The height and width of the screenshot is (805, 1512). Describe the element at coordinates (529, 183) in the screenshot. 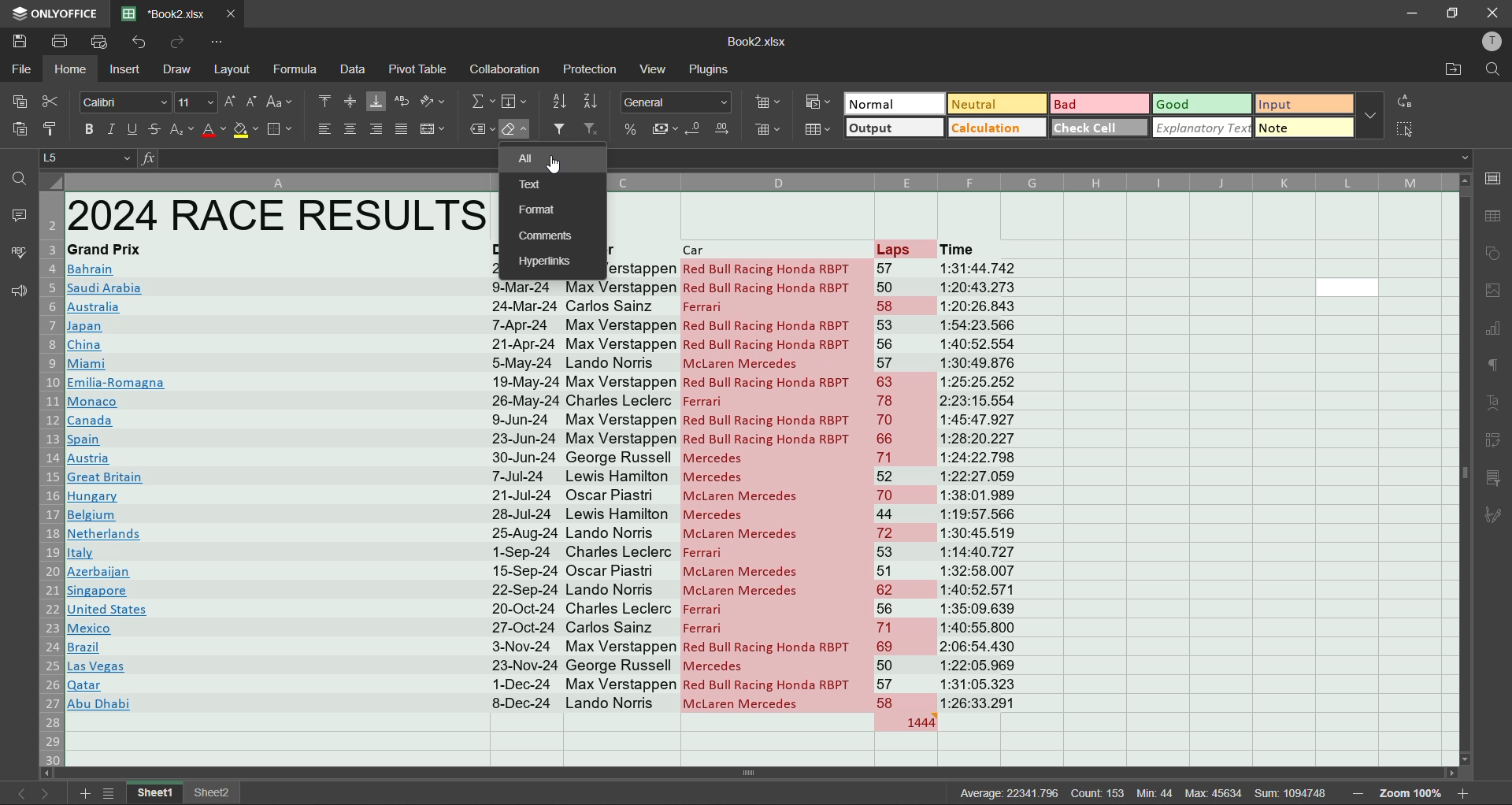

I see `text` at that location.